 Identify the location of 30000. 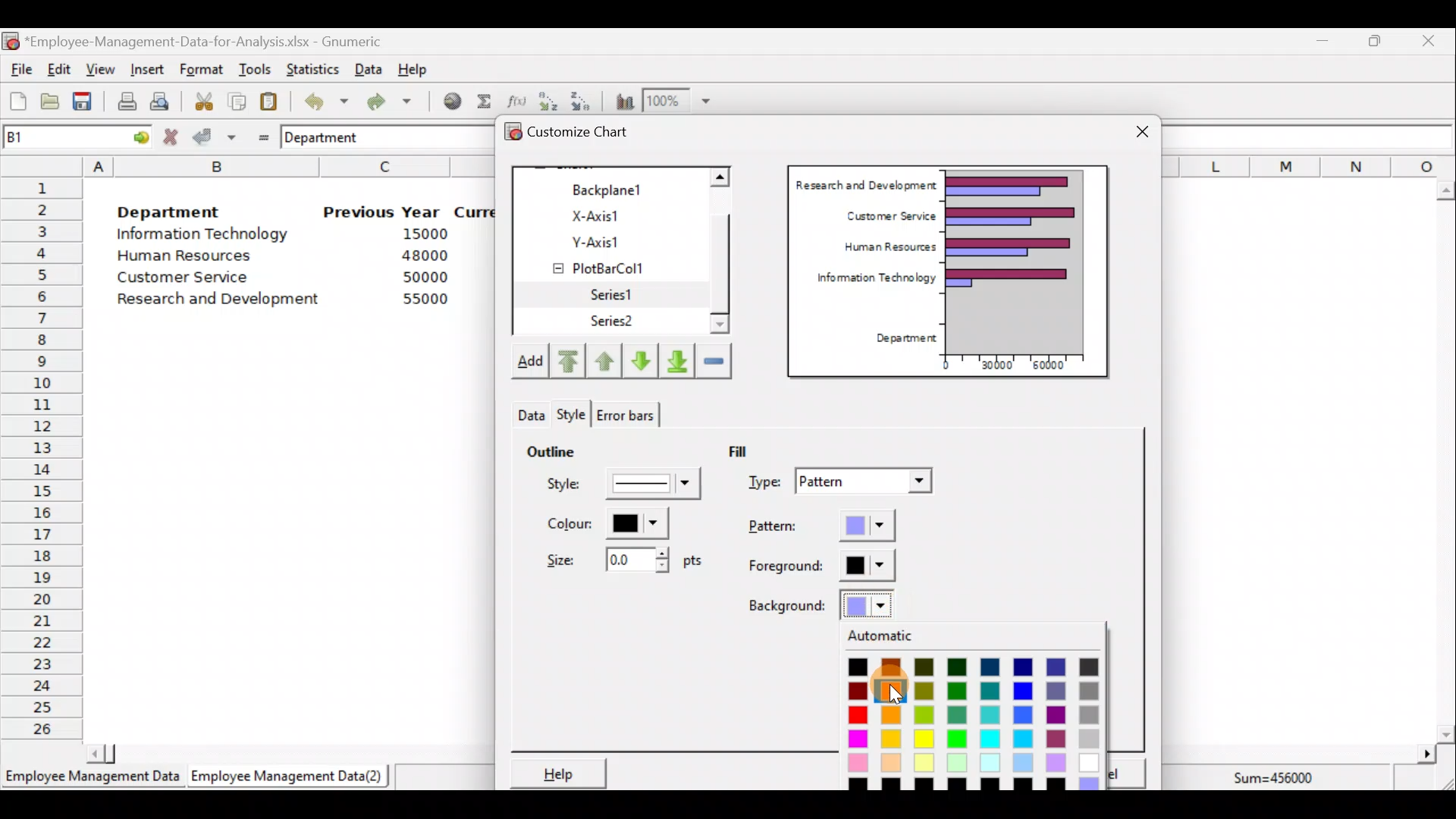
(996, 363).